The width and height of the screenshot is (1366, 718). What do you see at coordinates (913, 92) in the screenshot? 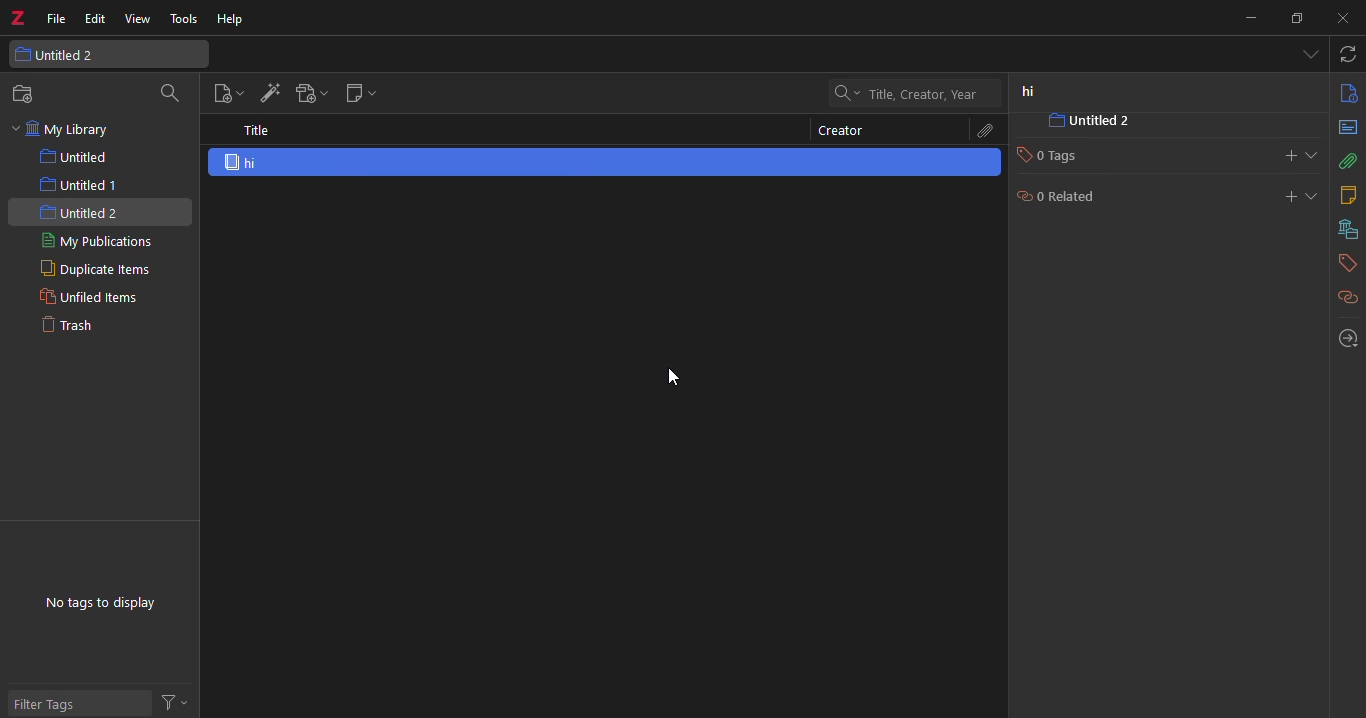
I see `search` at bounding box center [913, 92].